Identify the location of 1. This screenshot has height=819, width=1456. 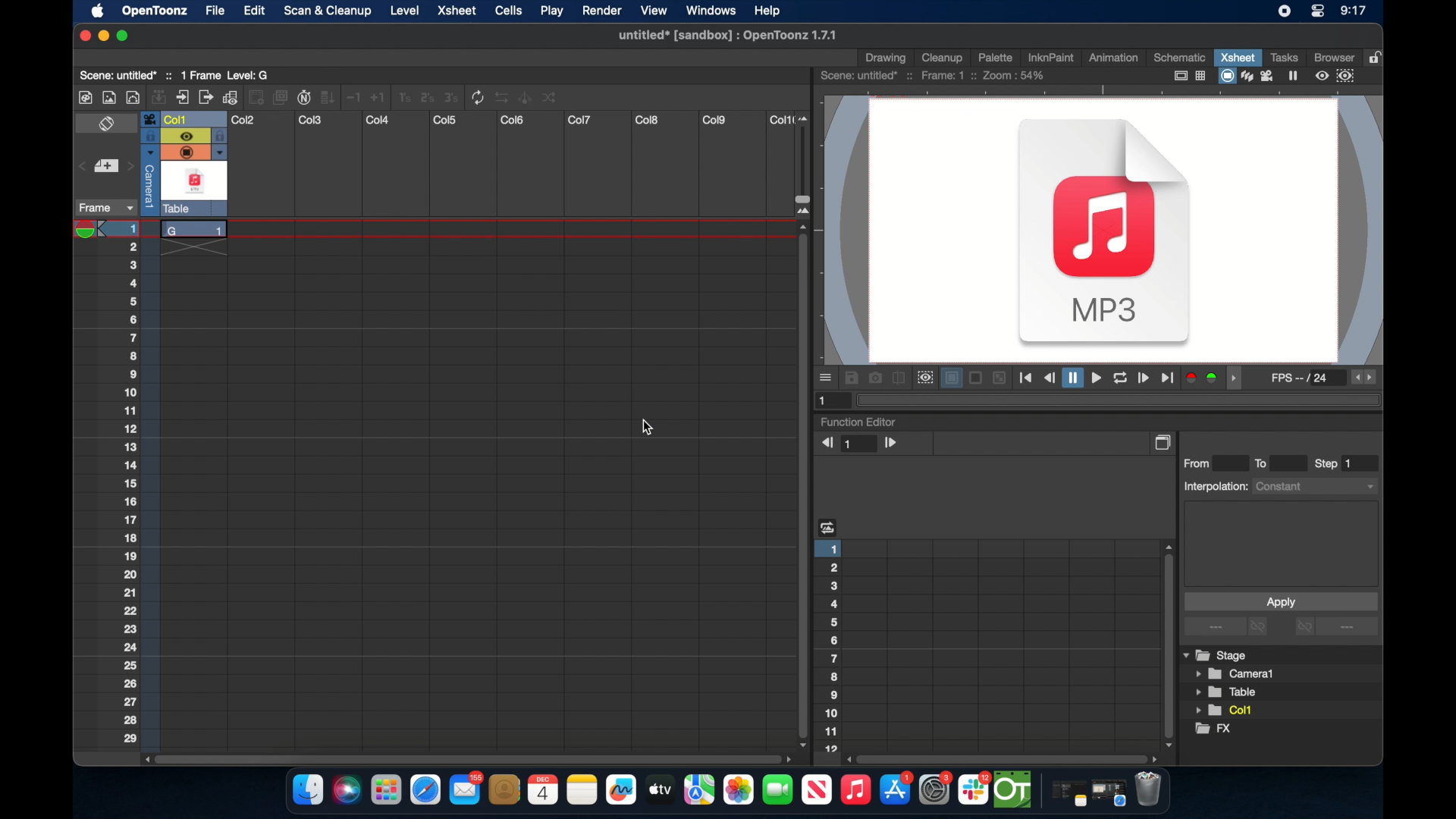
(861, 444).